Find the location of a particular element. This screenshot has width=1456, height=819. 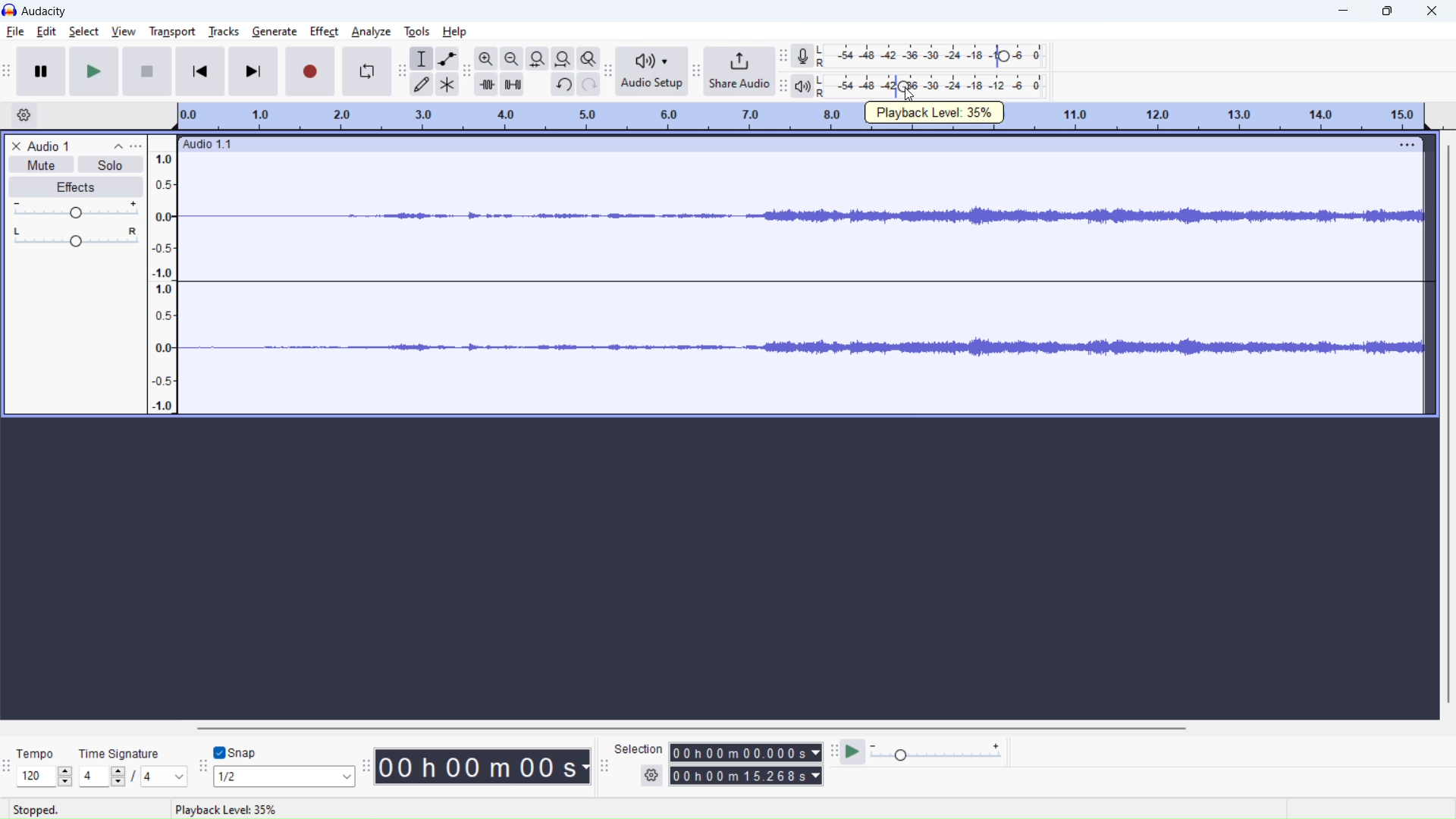

horizontal scrollbar is located at coordinates (687, 727).